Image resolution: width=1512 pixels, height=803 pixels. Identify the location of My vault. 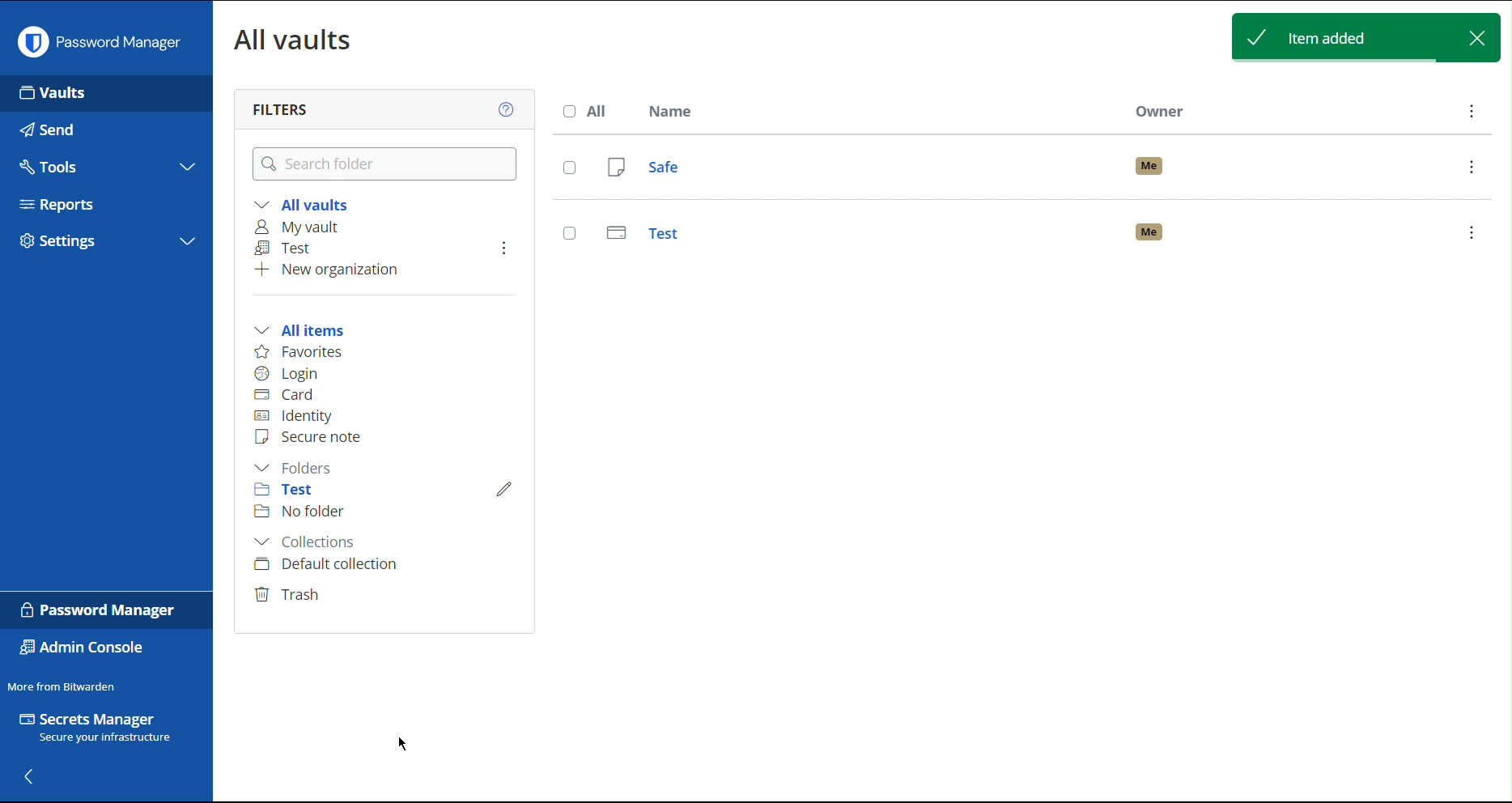
(307, 228).